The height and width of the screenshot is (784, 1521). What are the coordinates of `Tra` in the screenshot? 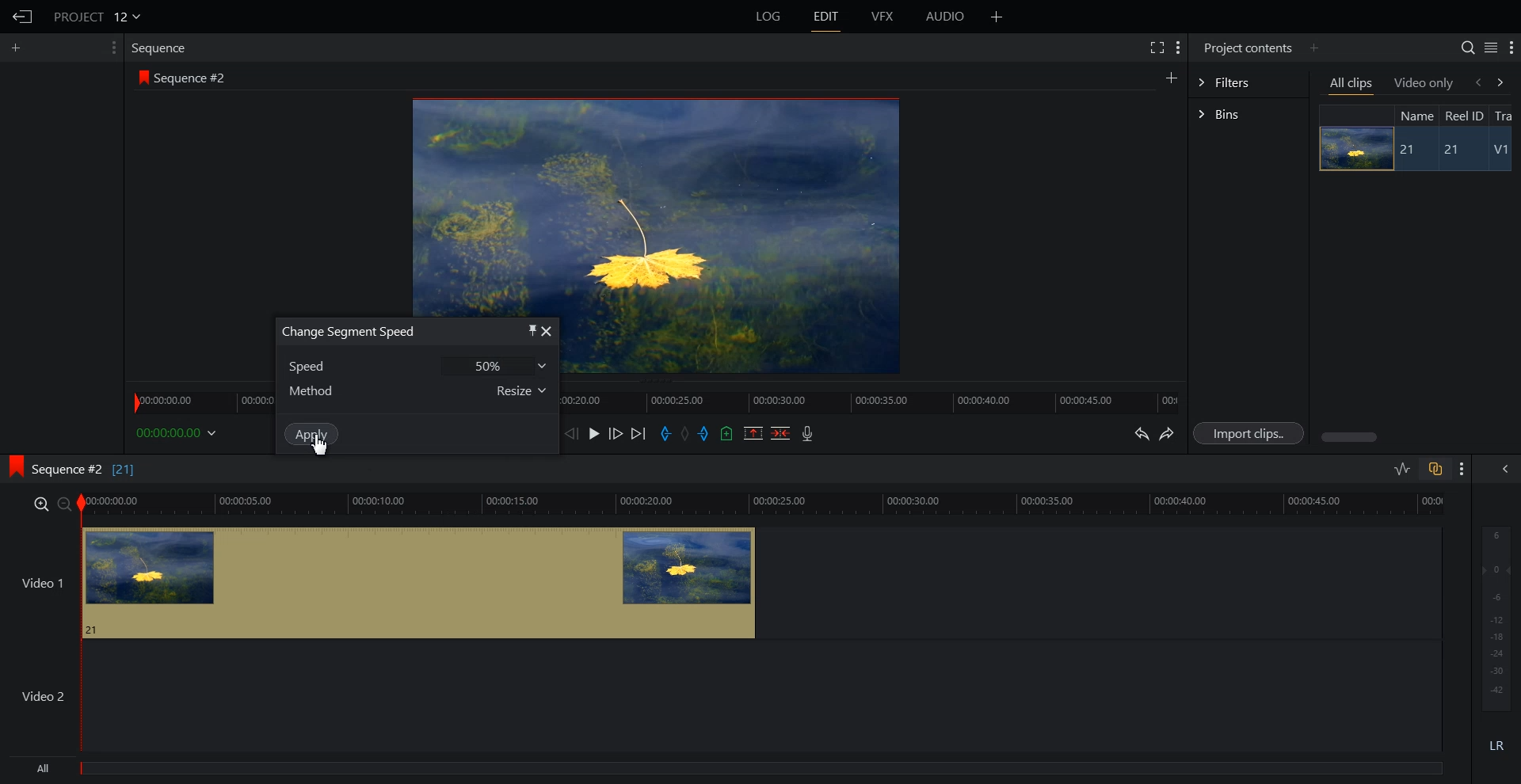 It's located at (1505, 115).